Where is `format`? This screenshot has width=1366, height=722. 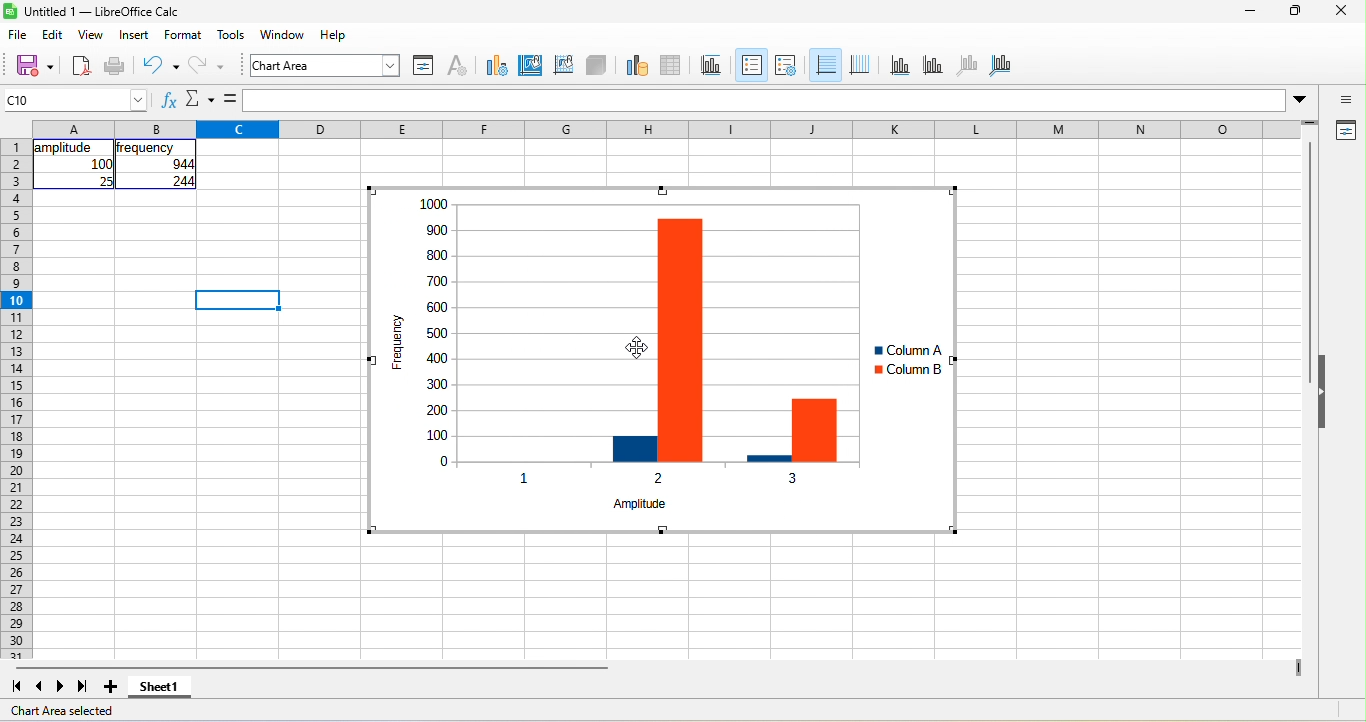
format is located at coordinates (183, 34).